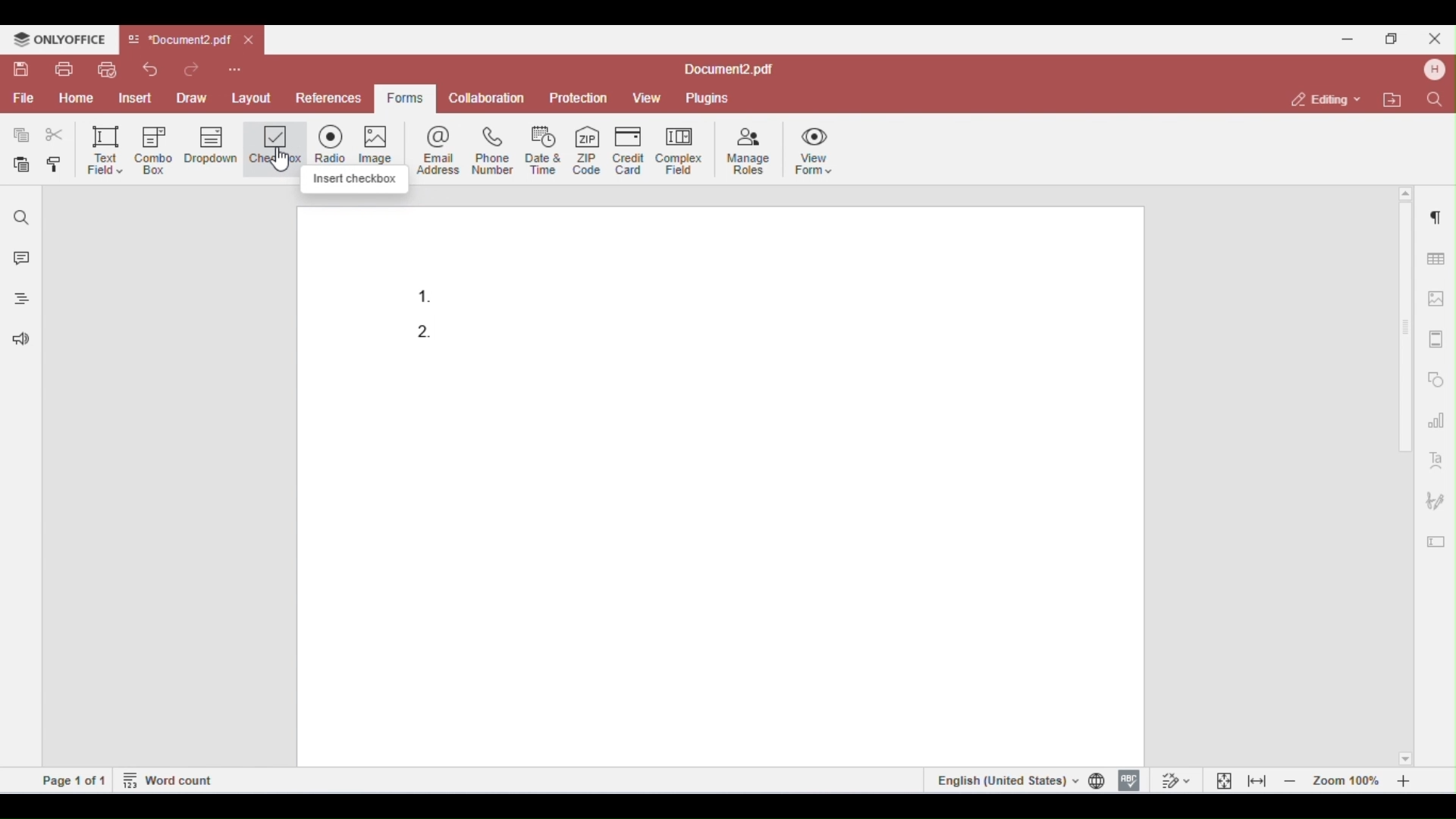  I want to click on zoom, so click(1351, 780).